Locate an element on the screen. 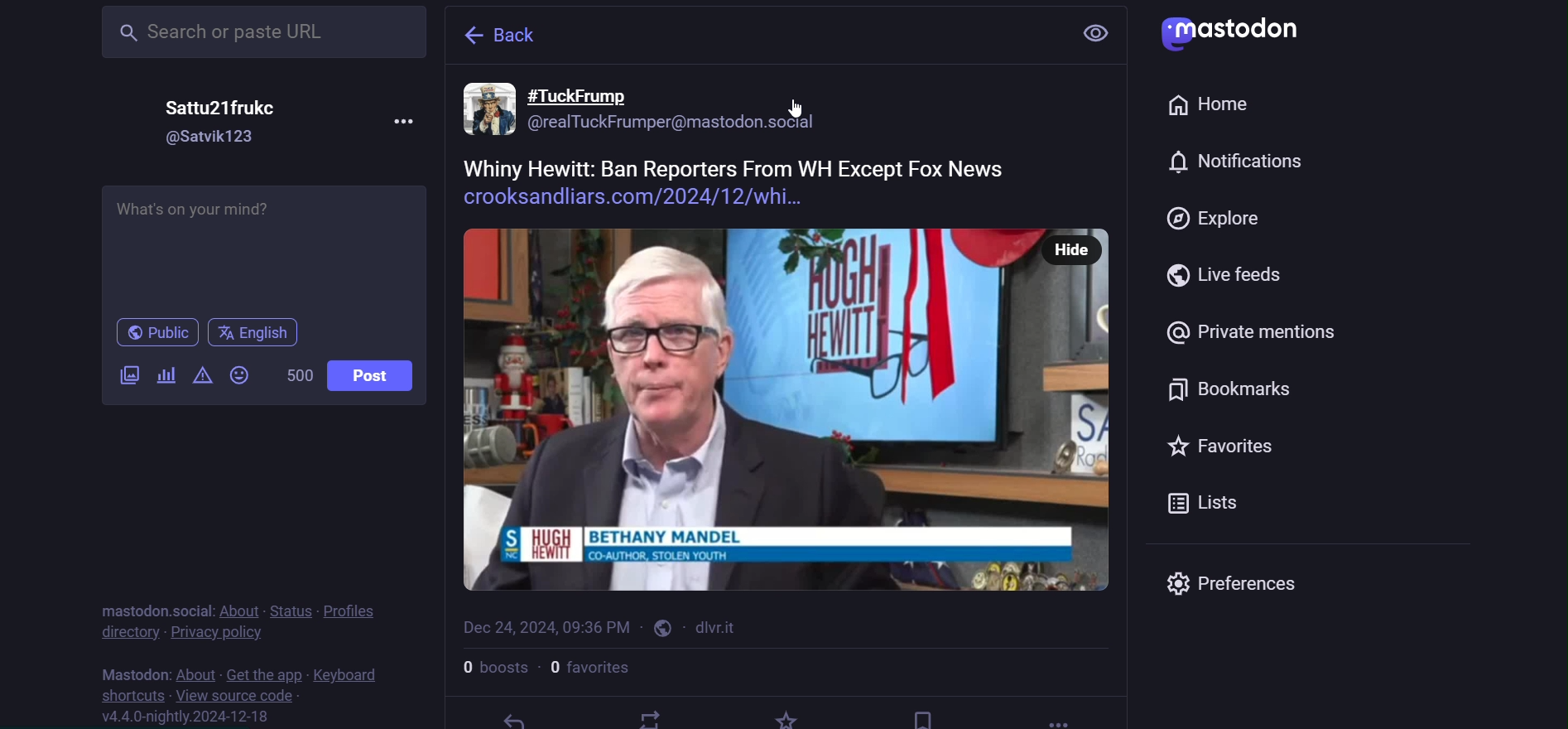 This screenshot has width=1568, height=729. image/video is located at coordinates (127, 374).